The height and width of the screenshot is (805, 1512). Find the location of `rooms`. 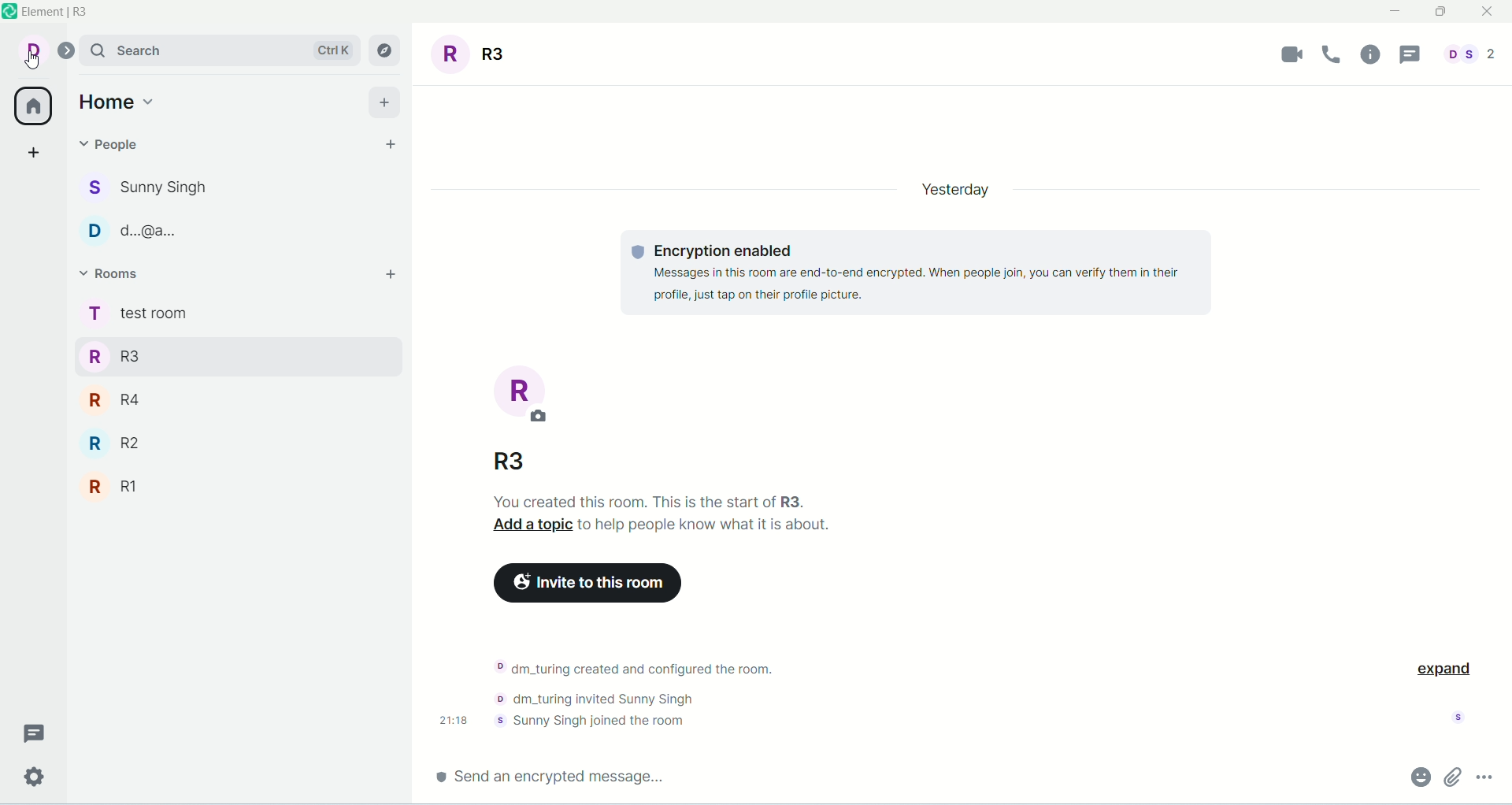

rooms is located at coordinates (135, 315).